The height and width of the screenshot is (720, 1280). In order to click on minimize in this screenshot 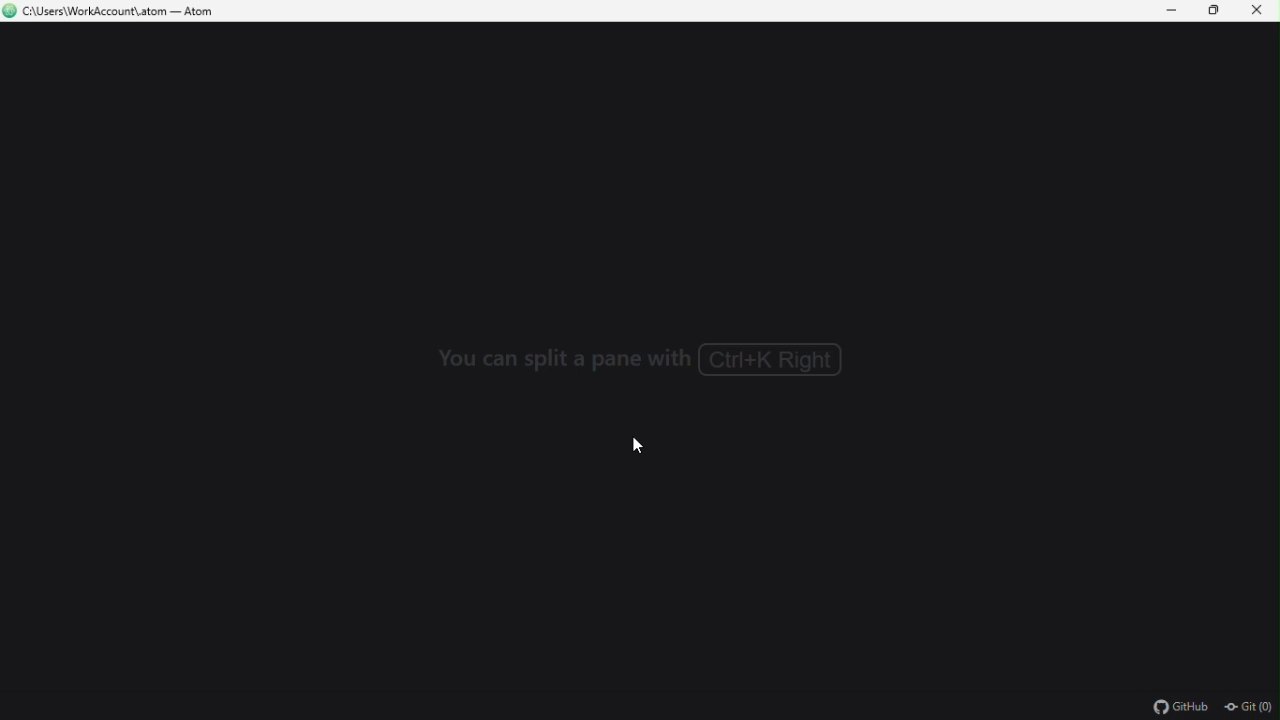, I will do `click(1172, 12)`.